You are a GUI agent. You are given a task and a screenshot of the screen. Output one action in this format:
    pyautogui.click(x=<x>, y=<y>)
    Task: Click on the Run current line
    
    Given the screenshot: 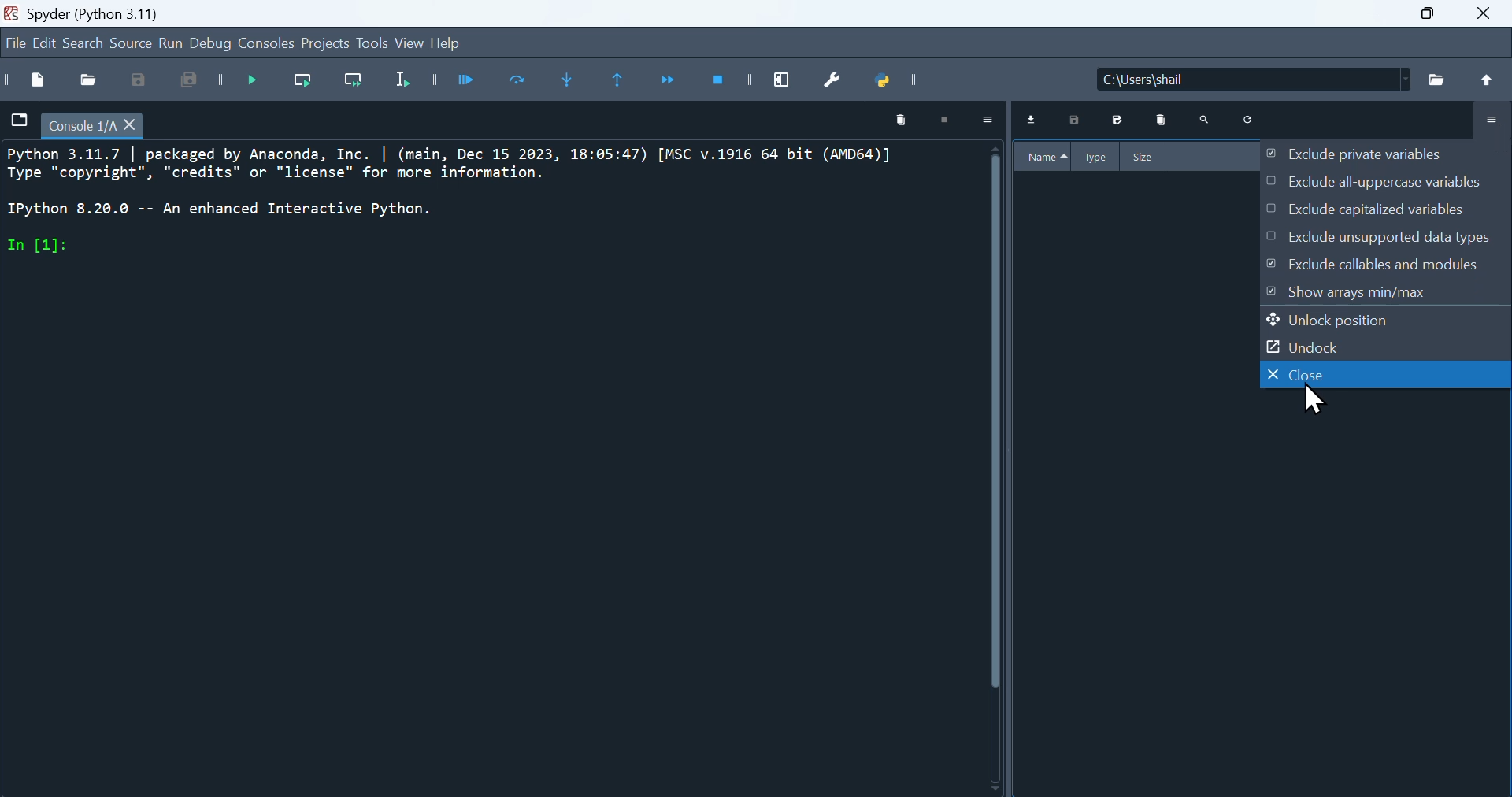 What is the action you would take?
    pyautogui.click(x=310, y=85)
    